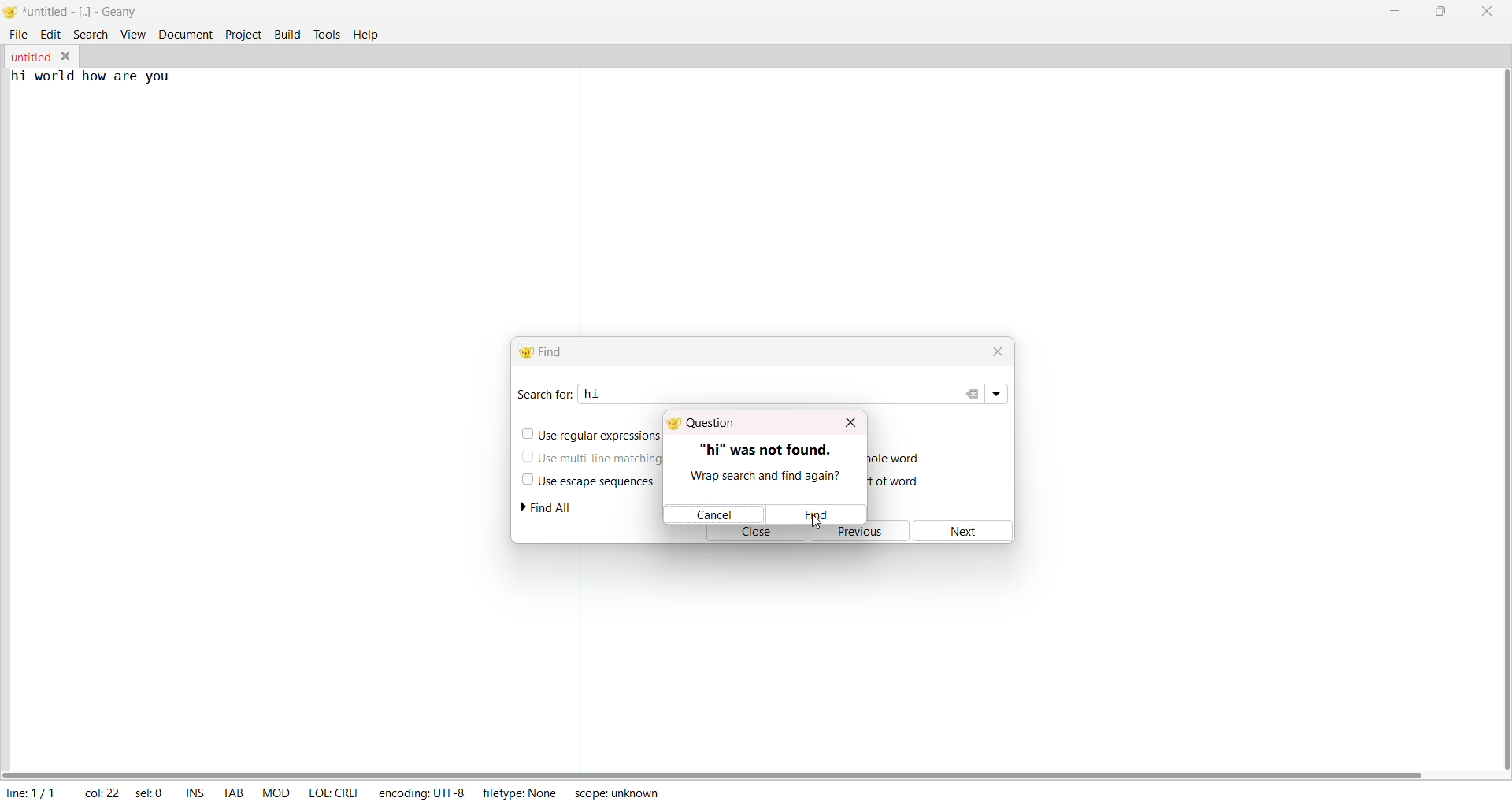 This screenshot has width=1512, height=802. I want to click on next, so click(969, 535).